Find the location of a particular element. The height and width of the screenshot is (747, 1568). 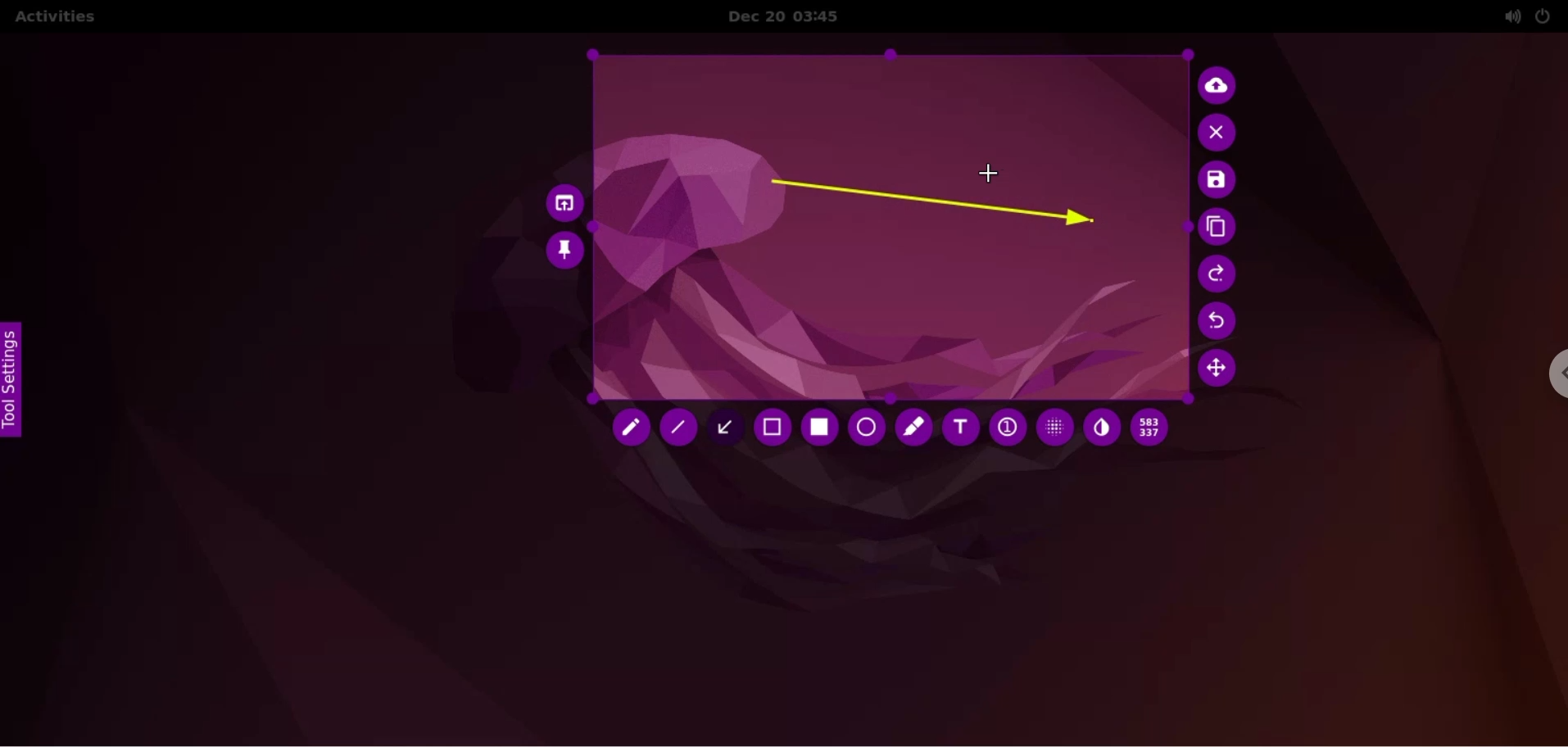

arrow tool is located at coordinates (730, 426).